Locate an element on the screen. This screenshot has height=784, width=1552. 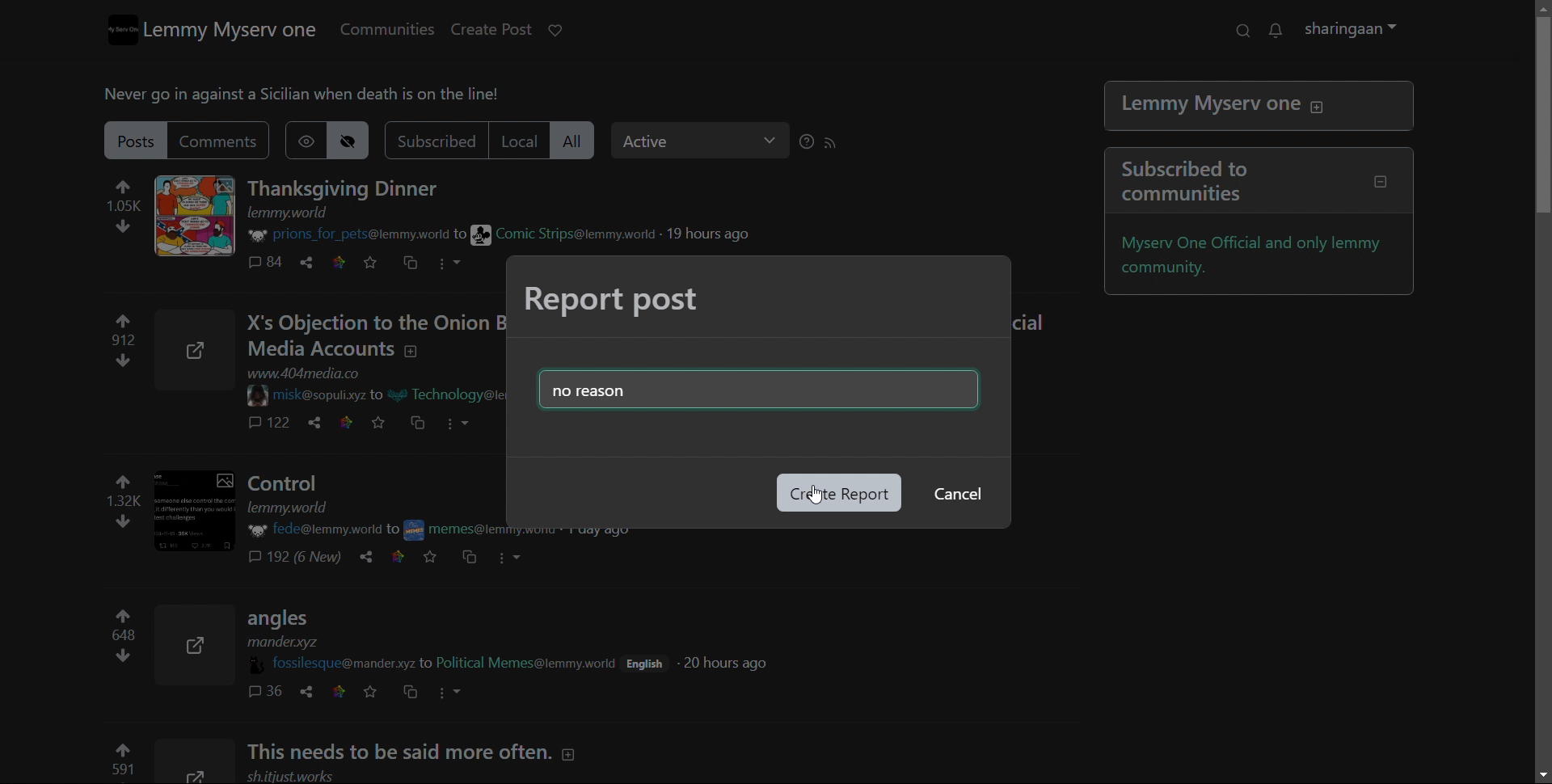
show hidden posts is located at coordinates (314, 140).